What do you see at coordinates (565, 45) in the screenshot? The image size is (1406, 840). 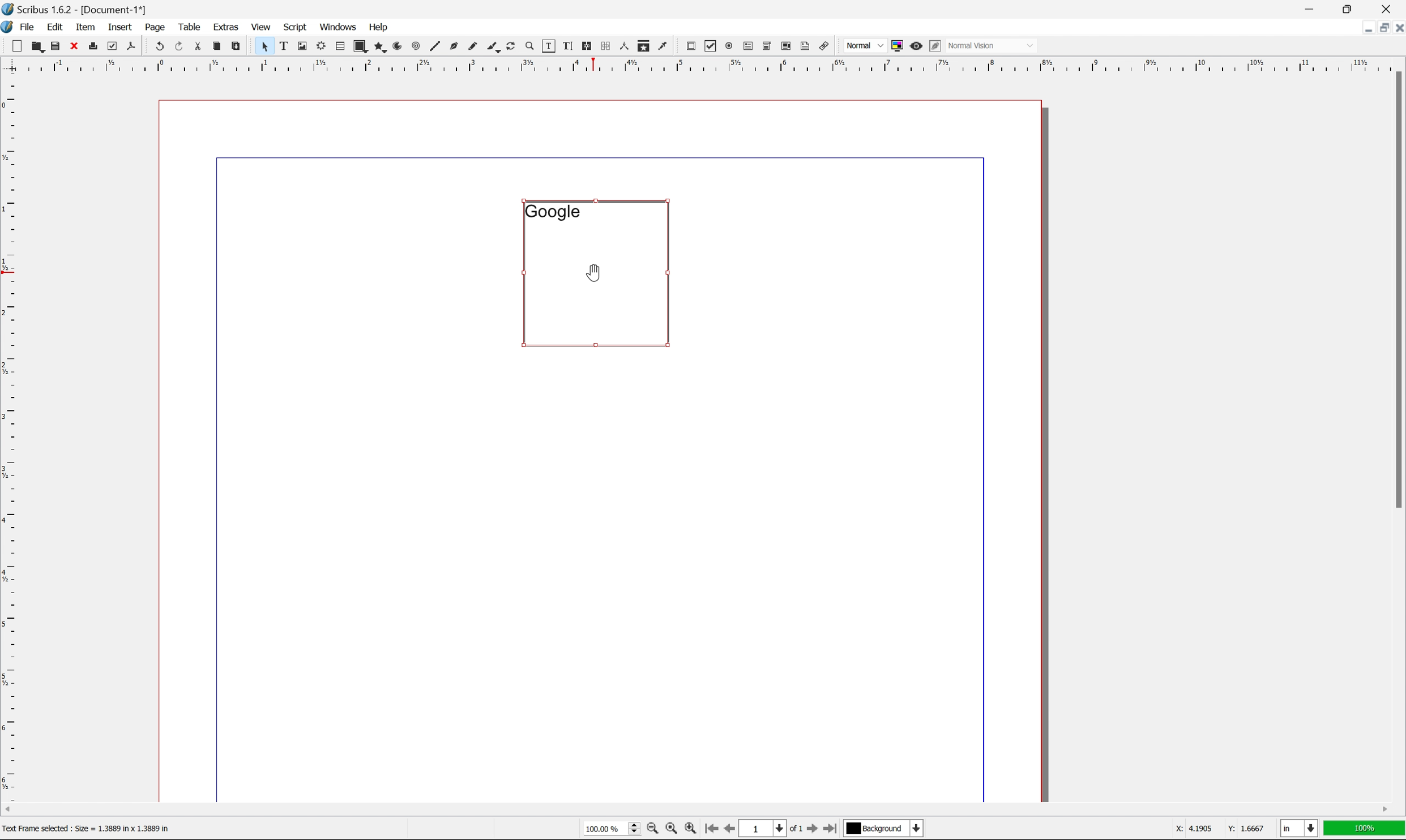 I see `edit text with story editor` at bounding box center [565, 45].